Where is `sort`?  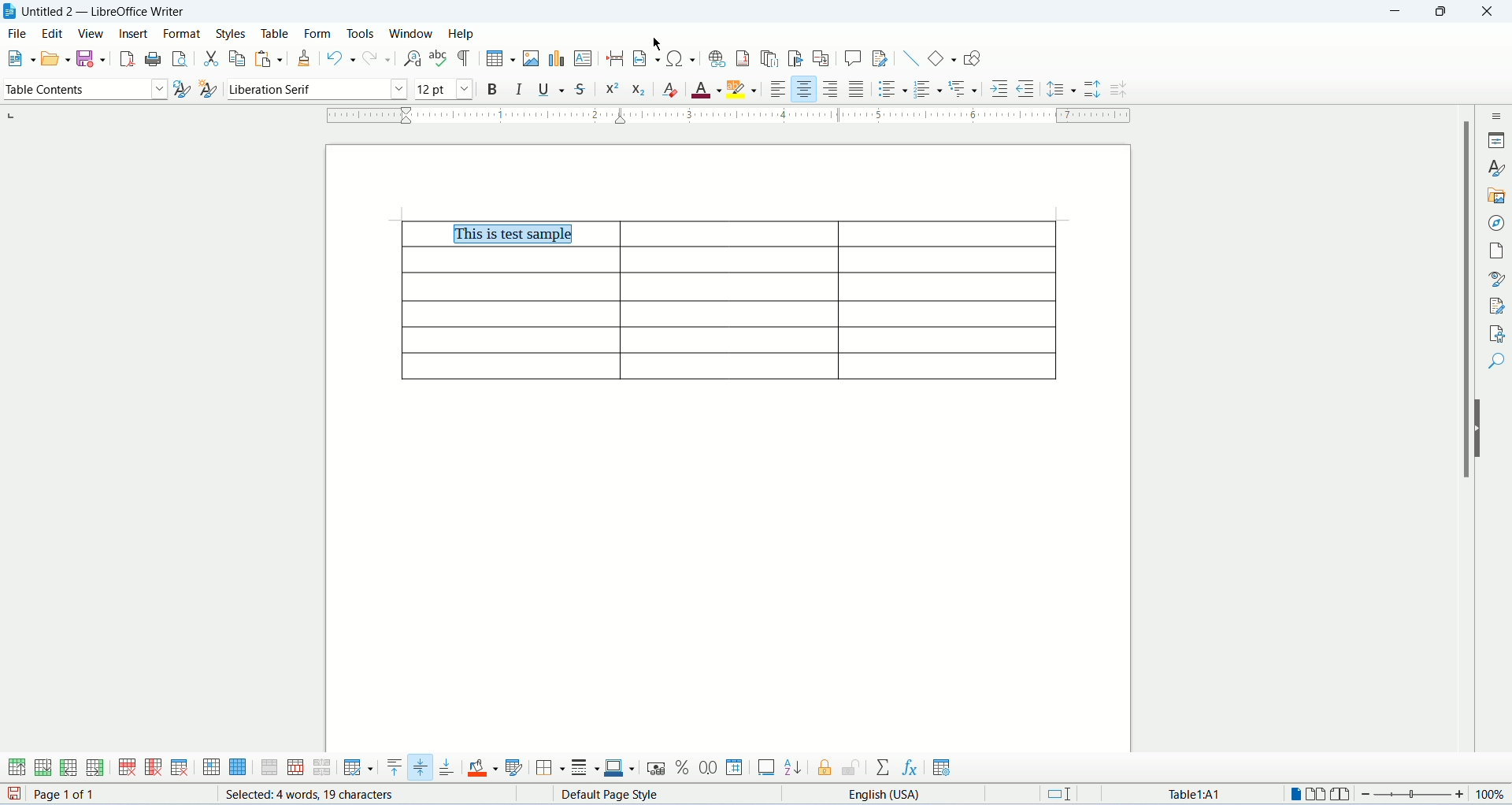 sort is located at coordinates (792, 769).